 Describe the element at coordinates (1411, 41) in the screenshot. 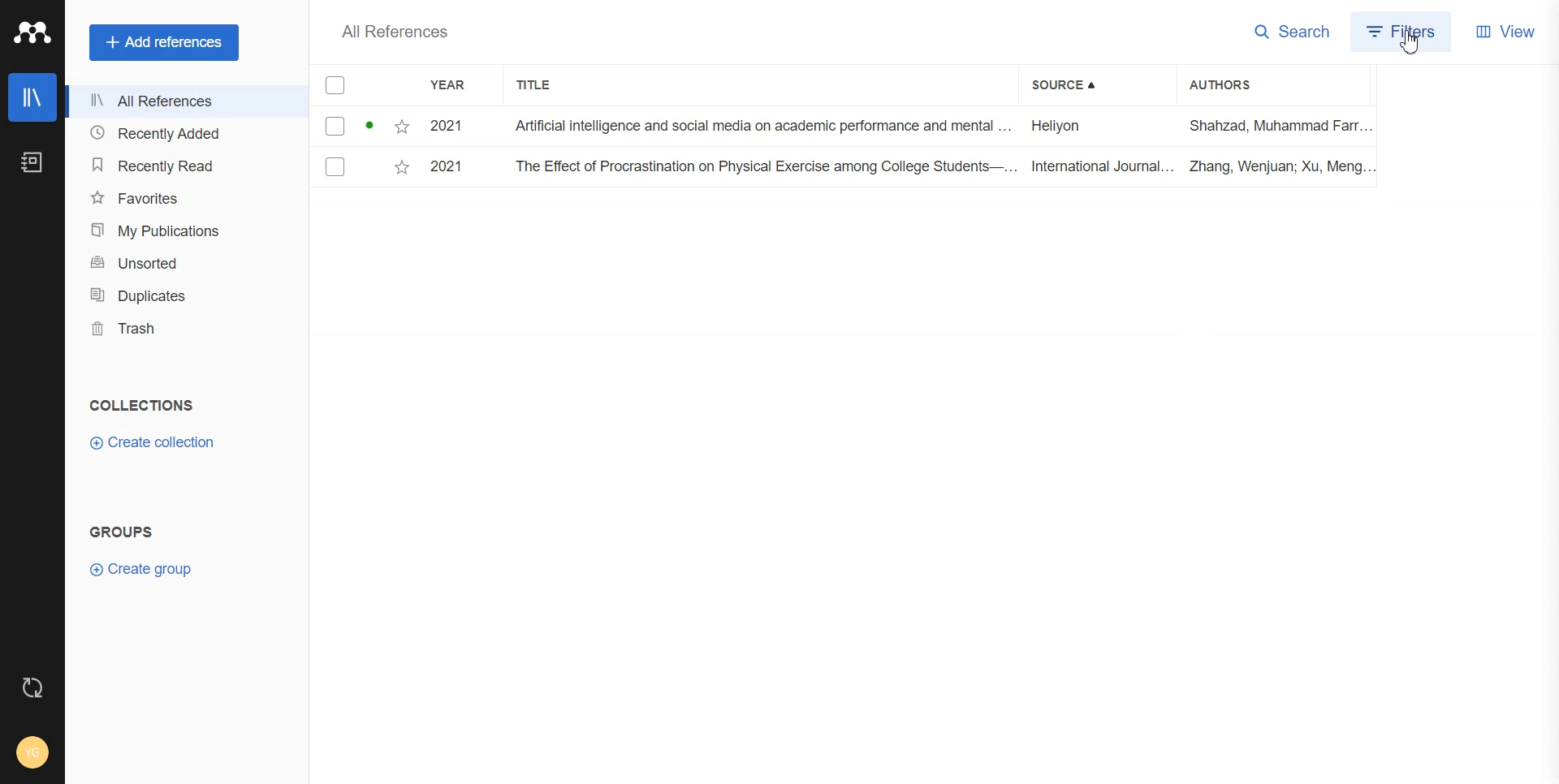

I see `Cursor` at that location.